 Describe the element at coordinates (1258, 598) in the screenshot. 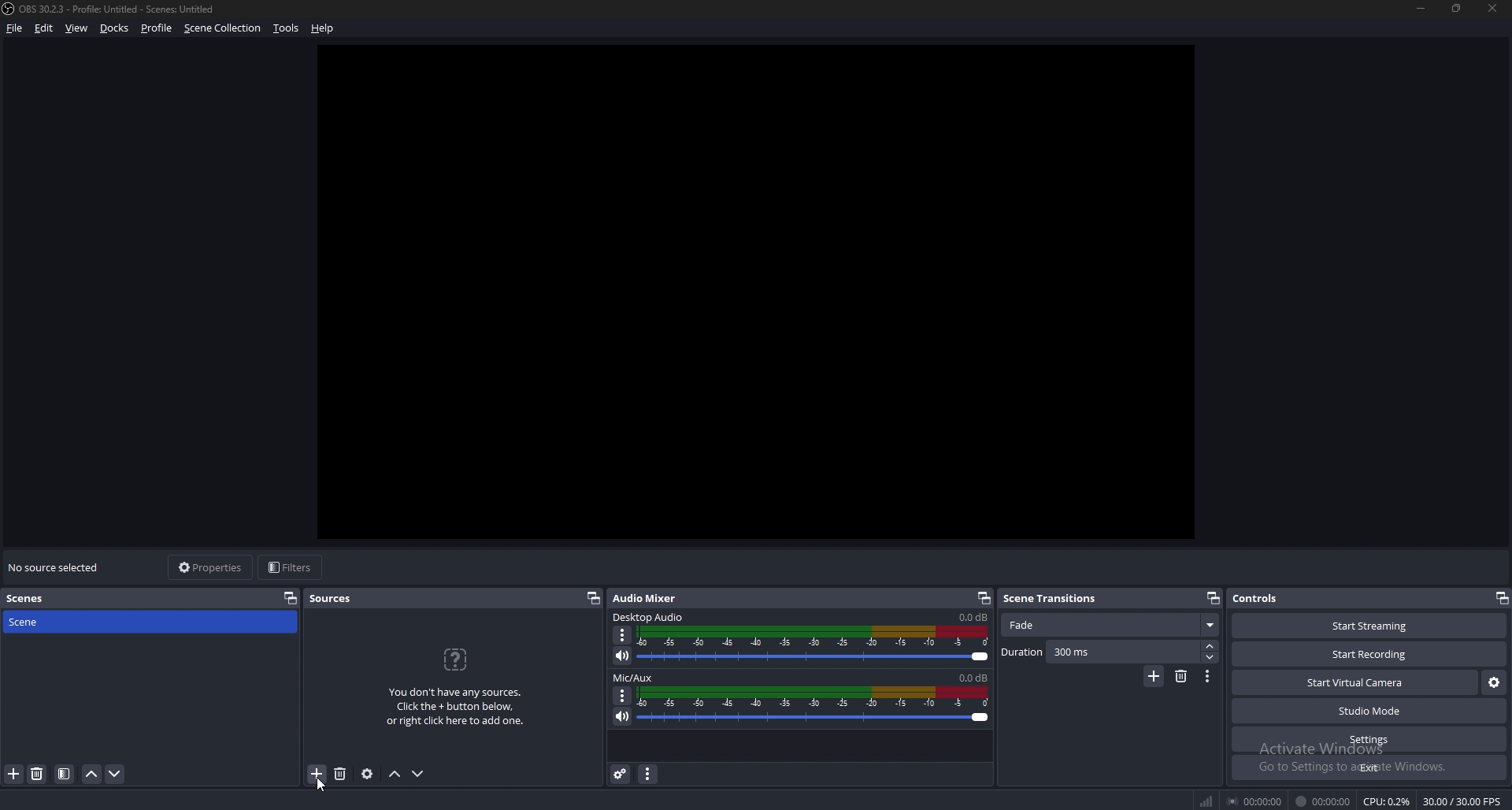

I see `Controls ` at that location.